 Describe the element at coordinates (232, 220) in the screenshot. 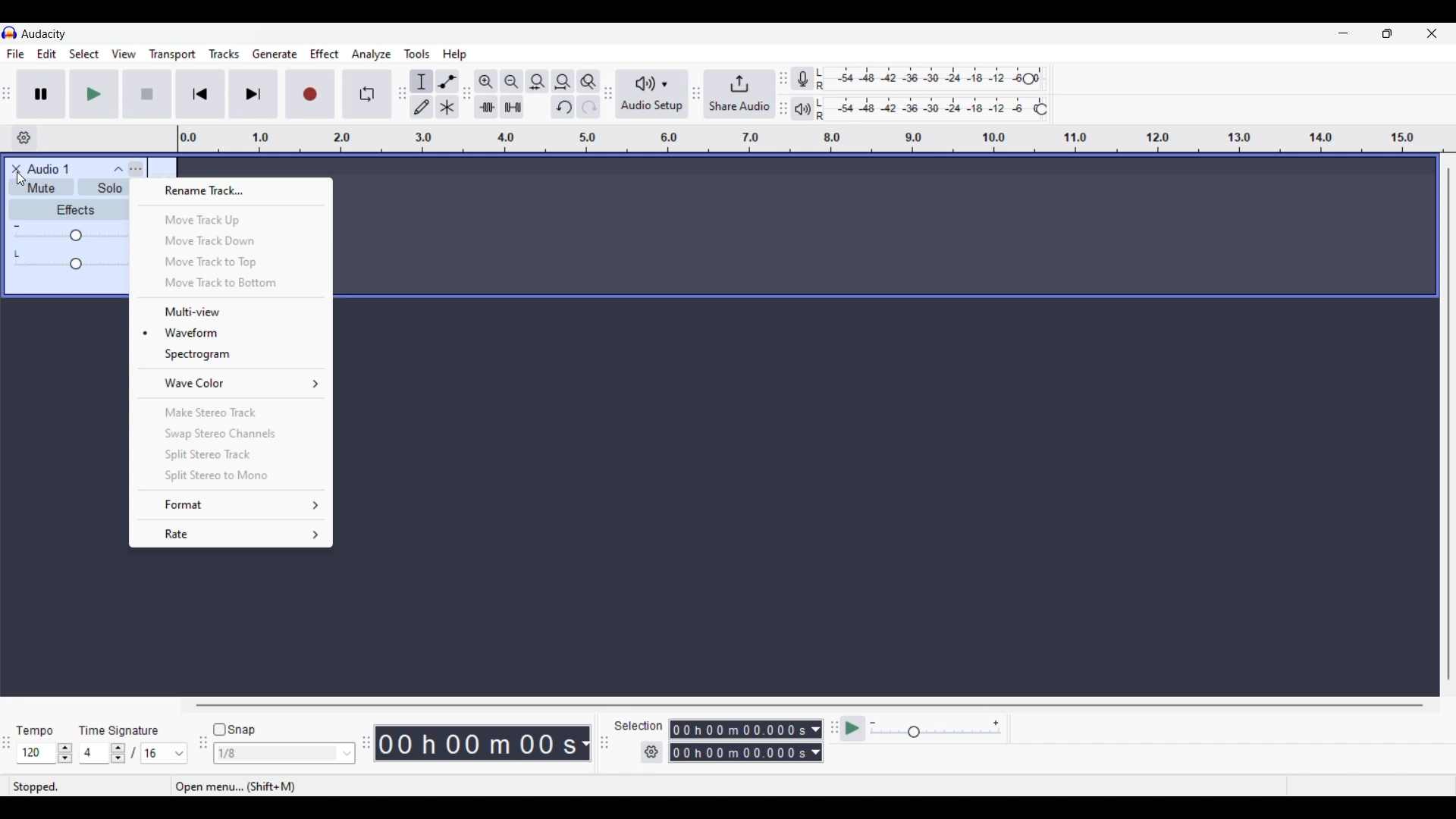

I see `Move track up` at that location.